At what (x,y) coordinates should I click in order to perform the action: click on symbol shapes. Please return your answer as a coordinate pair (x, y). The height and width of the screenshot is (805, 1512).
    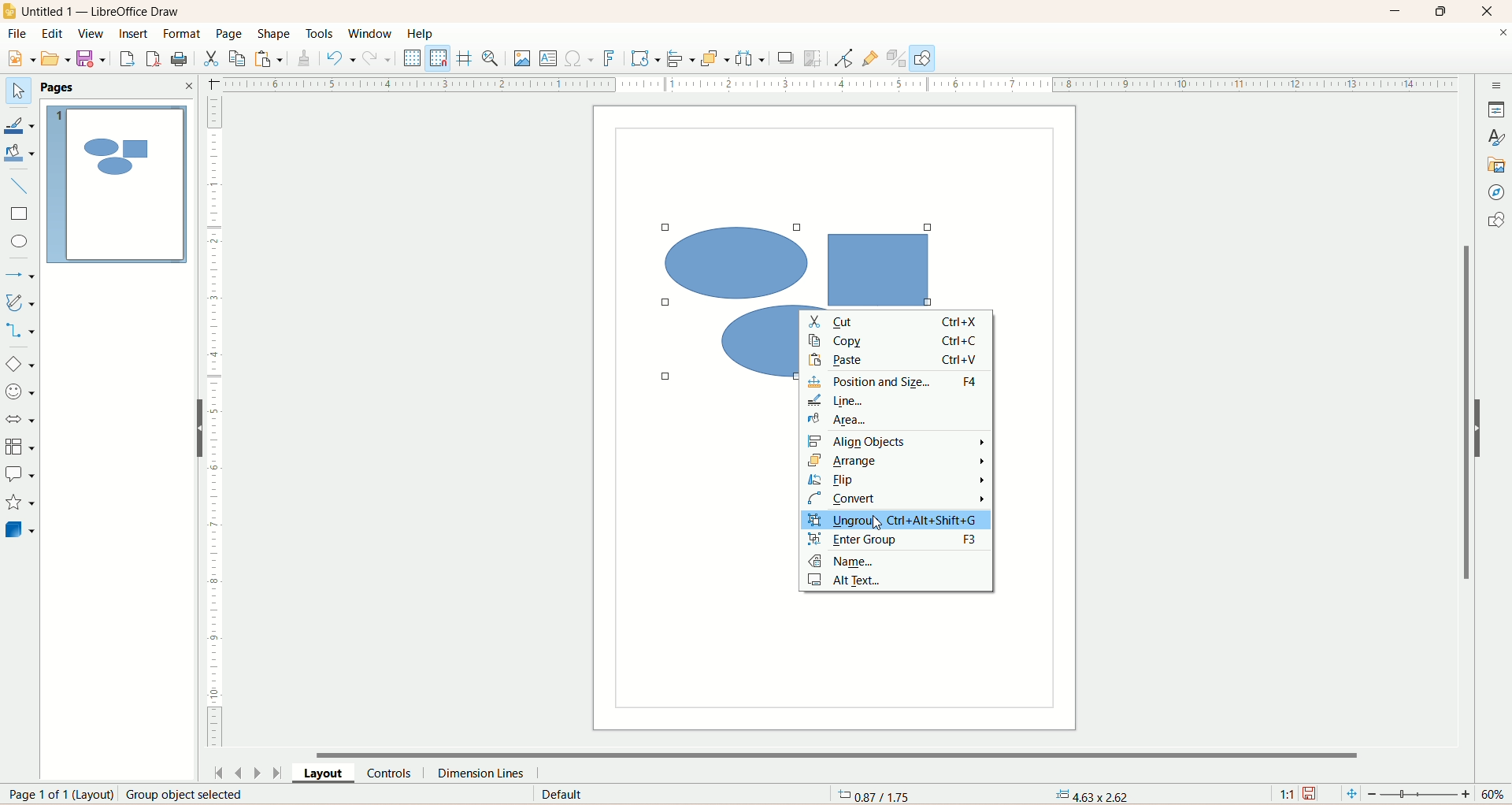
    Looking at the image, I should click on (19, 395).